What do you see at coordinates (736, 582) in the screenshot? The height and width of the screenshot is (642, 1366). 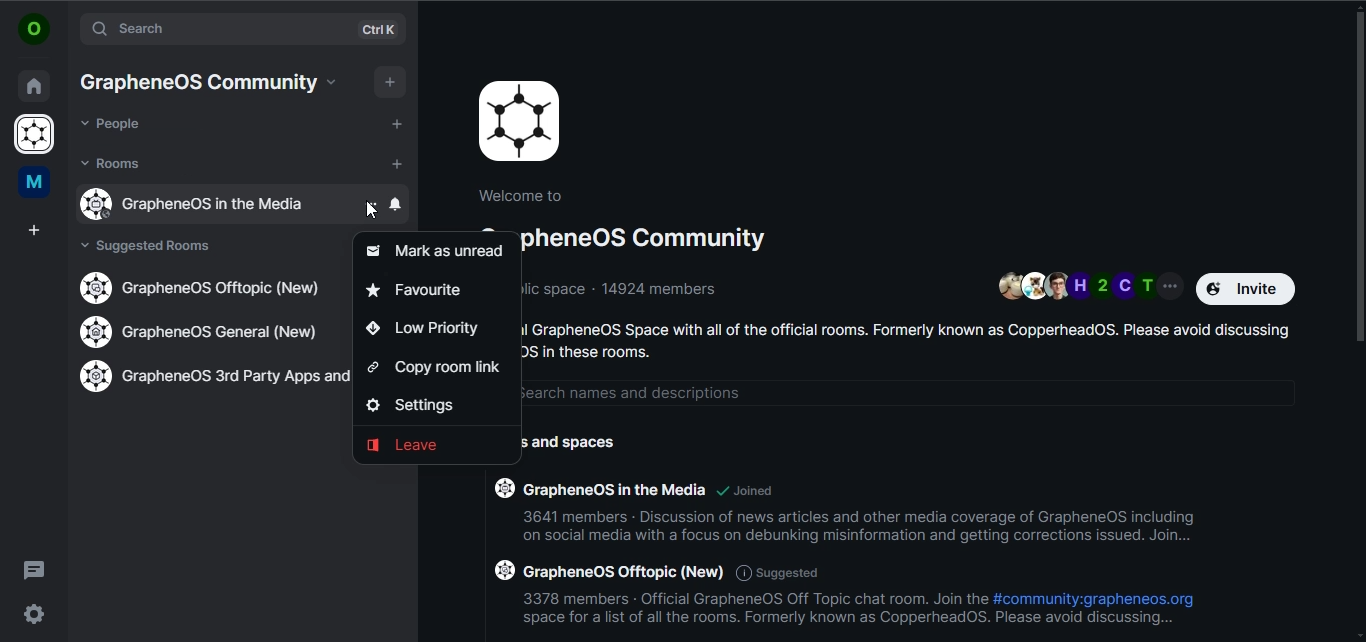 I see `srapheneOS Offtopic (New) (1) suggested1378 members - Official GrapheneOS Off Topic chat room. Join the ` at bounding box center [736, 582].